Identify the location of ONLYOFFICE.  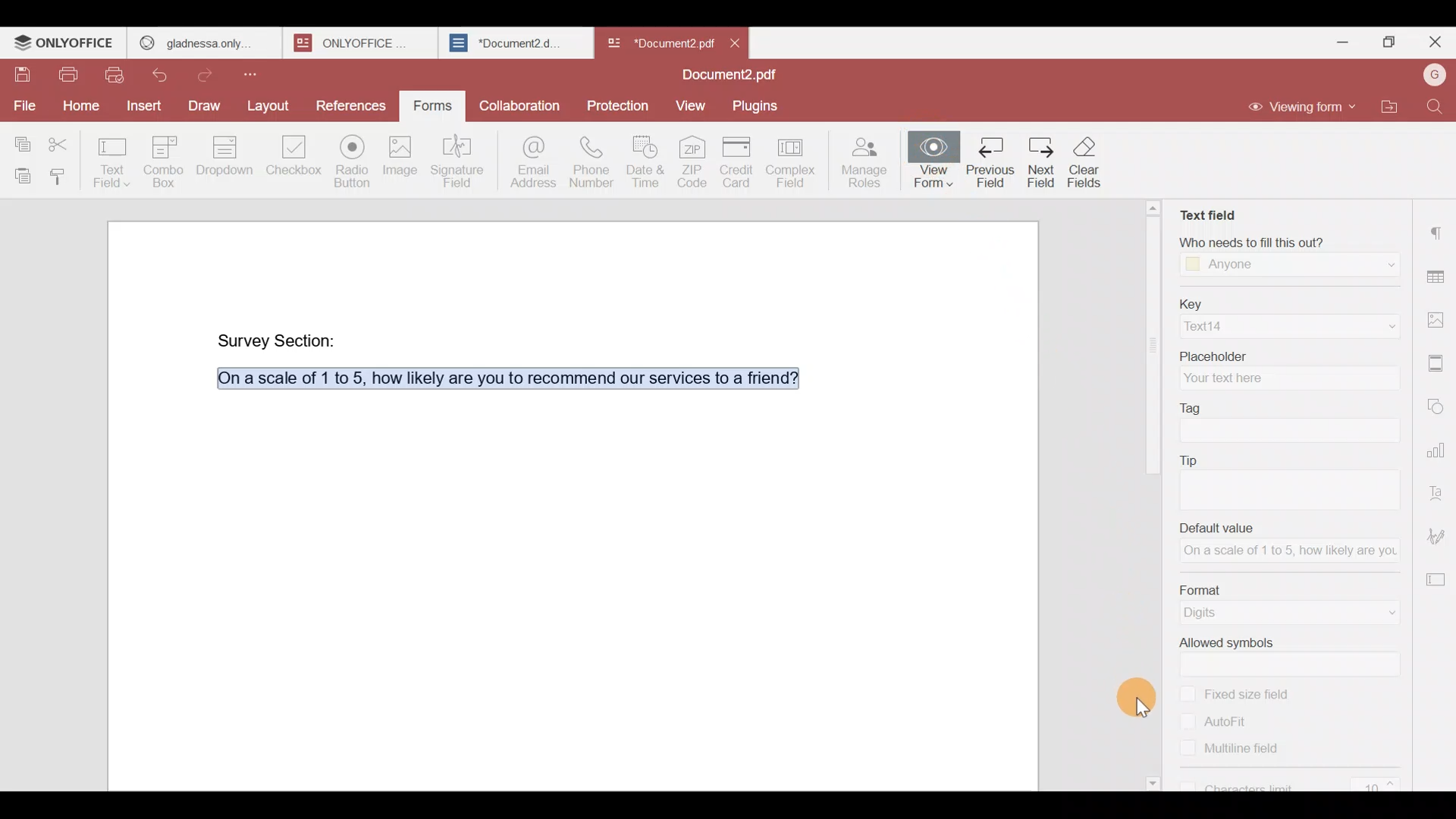
(64, 42).